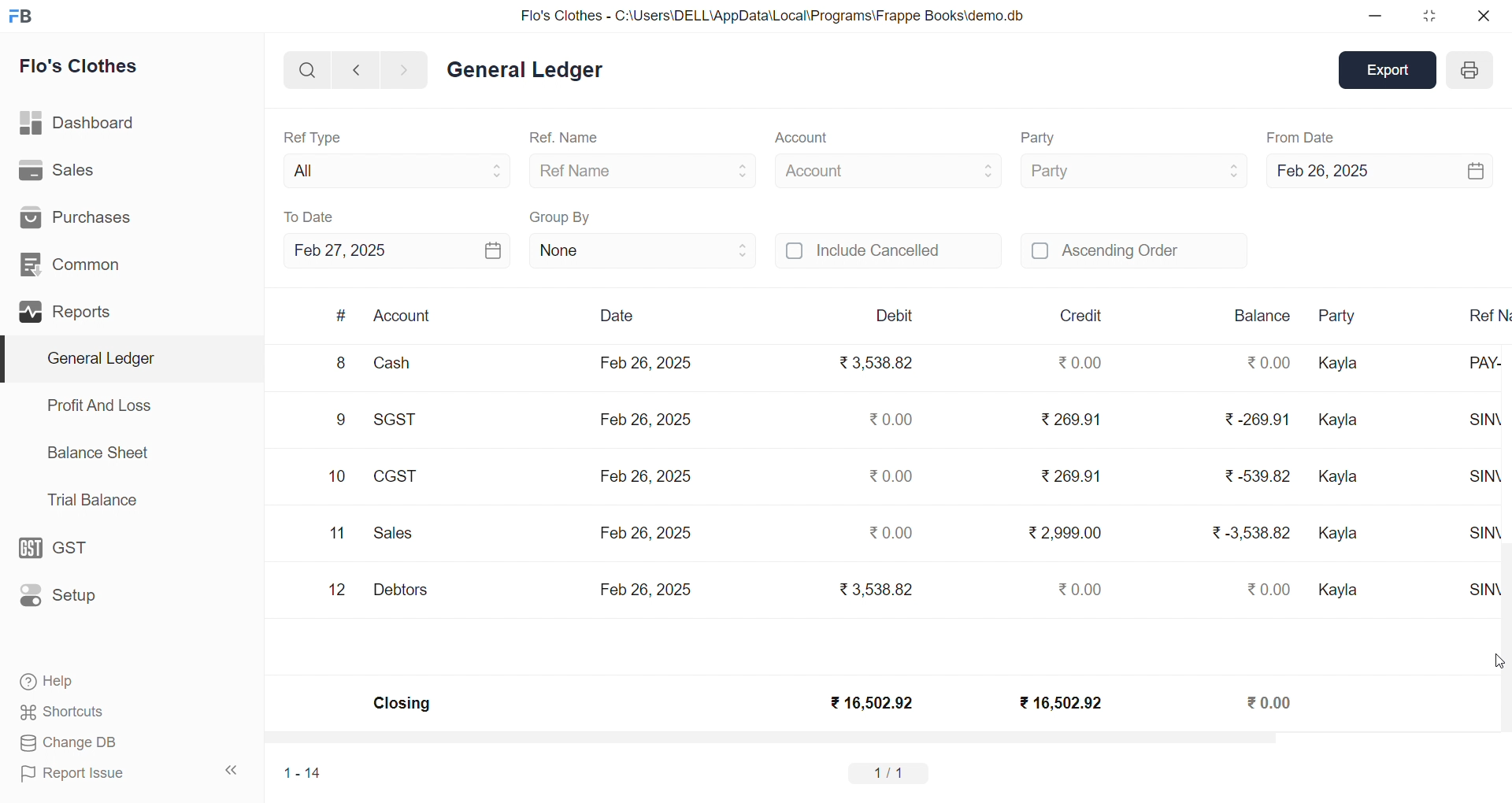 The image size is (1512, 803). What do you see at coordinates (1251, 538) in the screenshot?
I see `₹ -3,538.82` at bounding box center [1251, 538].